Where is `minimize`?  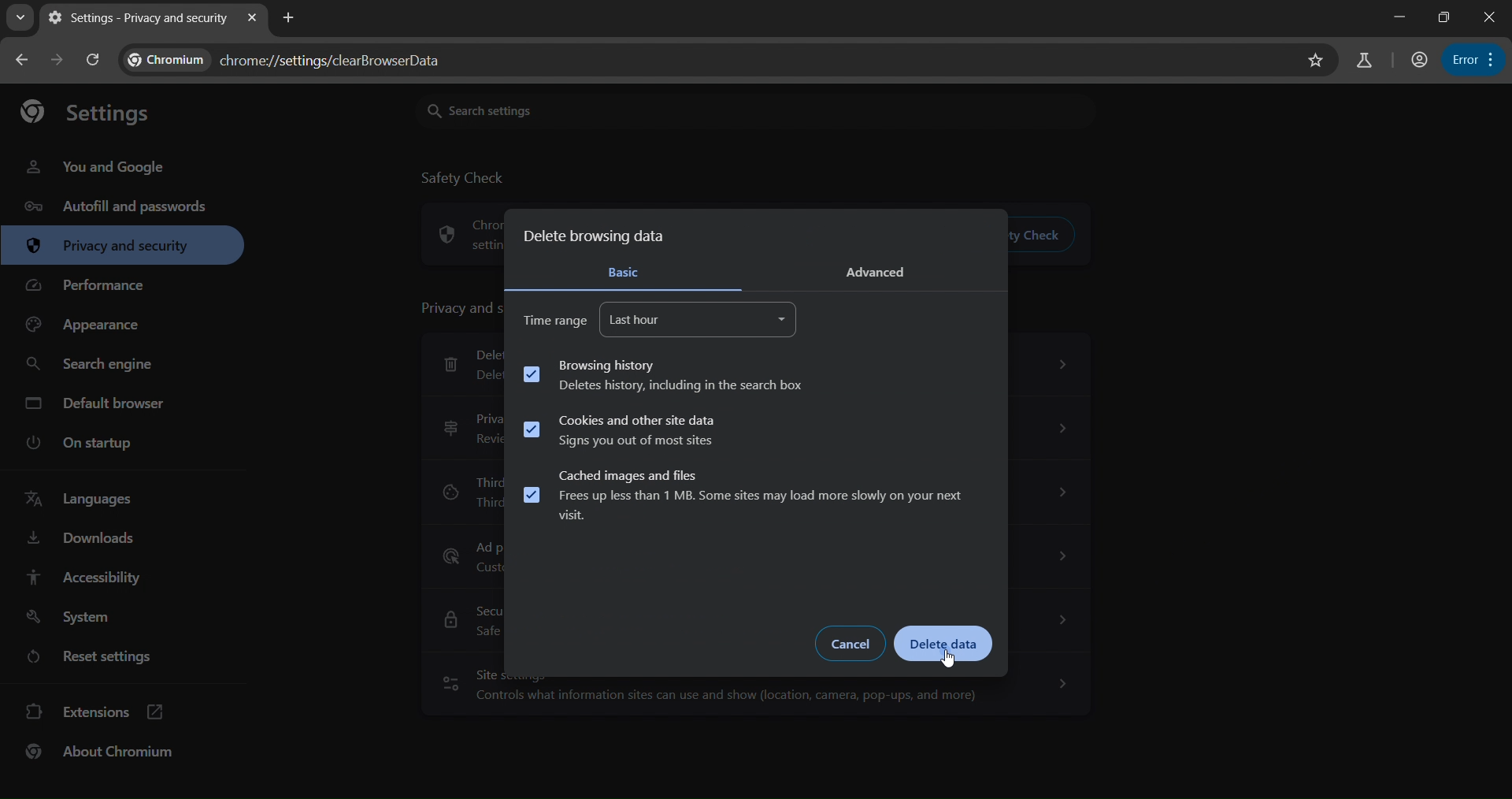
minimize is located at coordinates (1393, 15).